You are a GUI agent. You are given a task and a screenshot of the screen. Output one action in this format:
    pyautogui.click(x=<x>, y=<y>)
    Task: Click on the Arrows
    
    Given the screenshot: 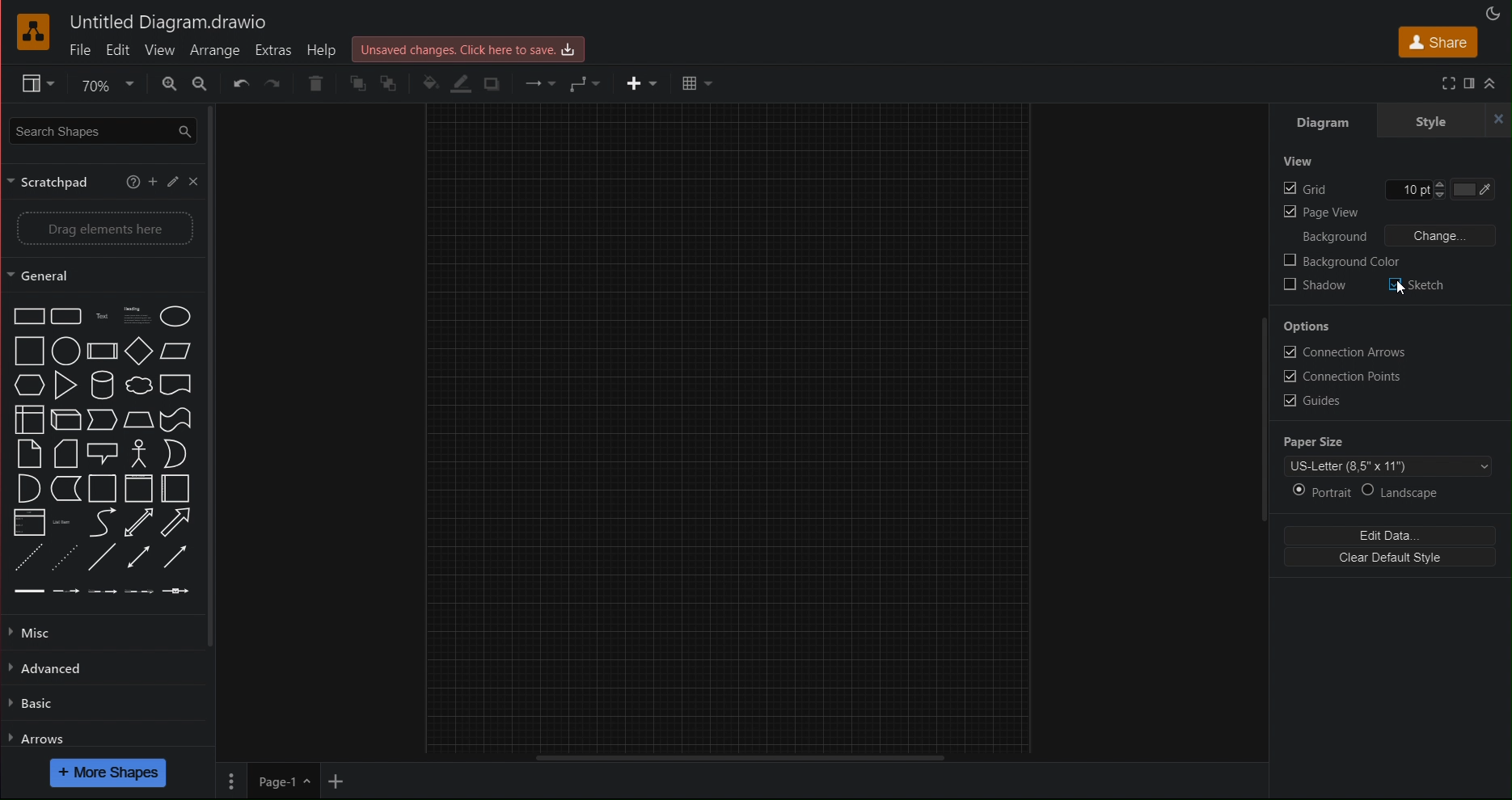 What is the action you would take?
    pyautogui.click(x=95, y=736)
    